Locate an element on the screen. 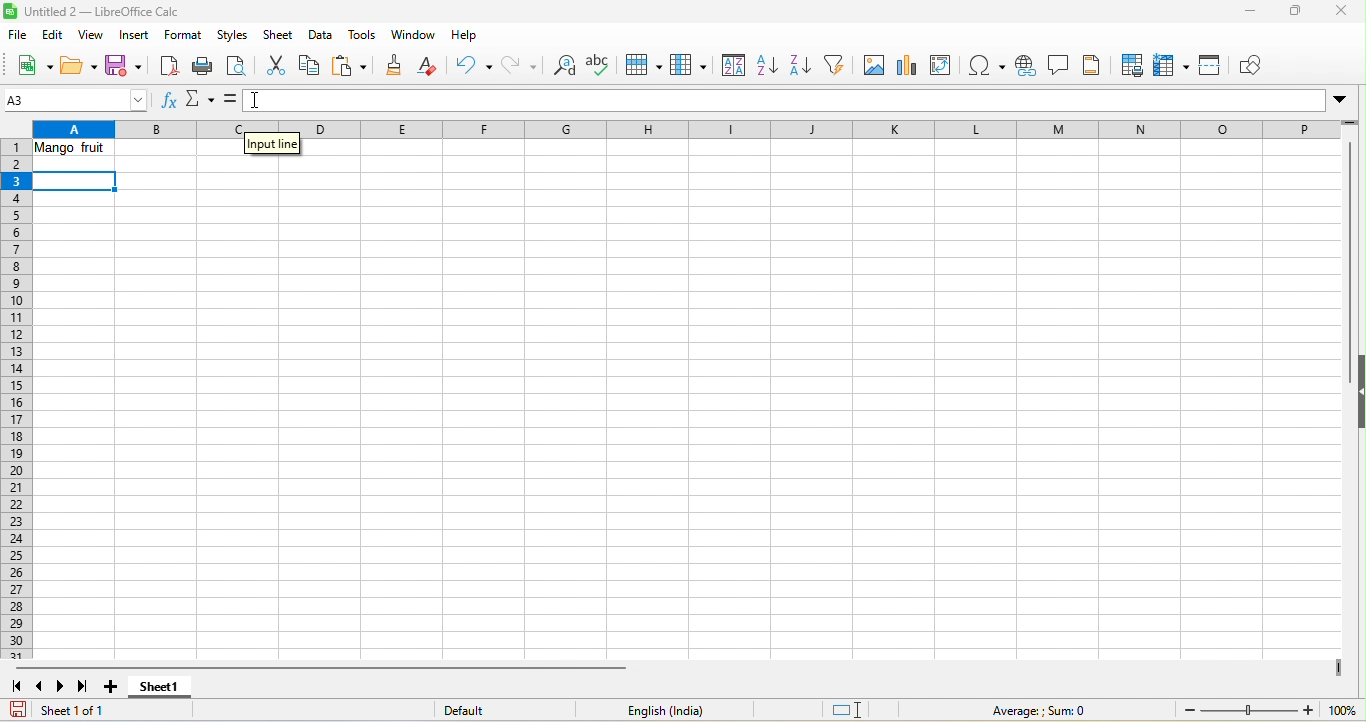 The image size is (1366, 722). close is located at coordinates (1337, 15).